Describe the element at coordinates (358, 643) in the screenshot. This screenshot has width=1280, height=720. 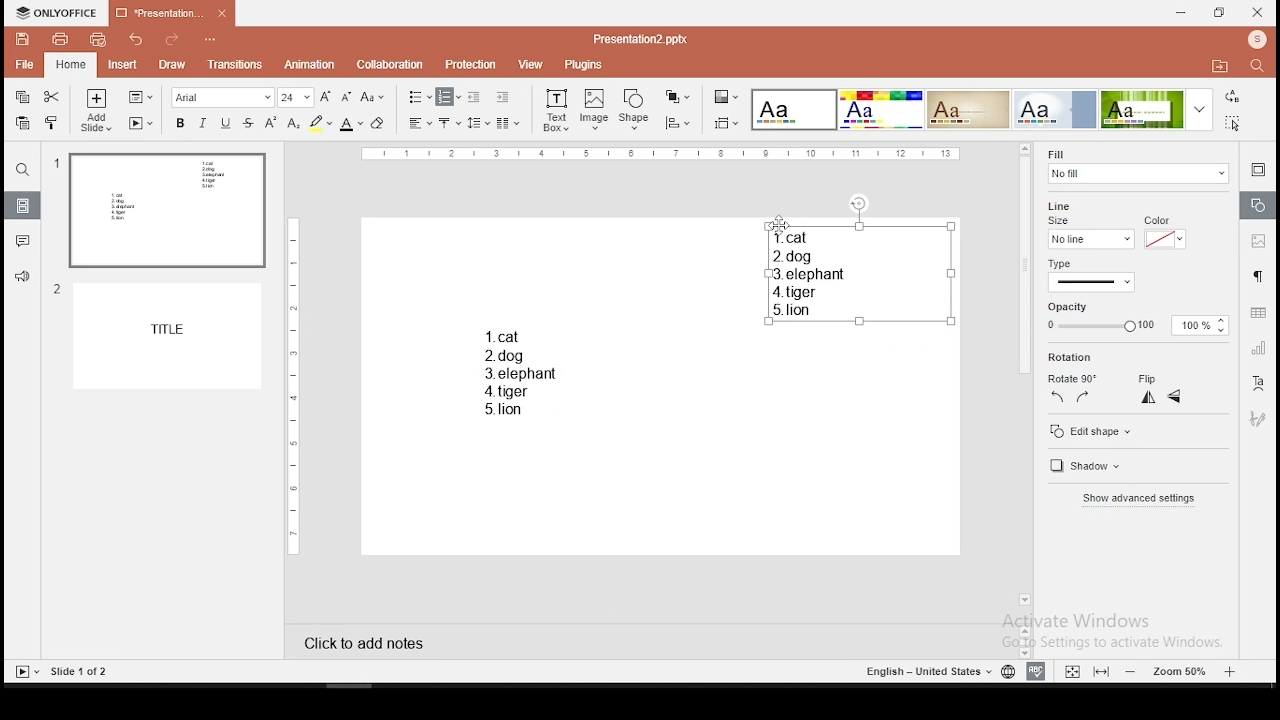
I see `click to add notes` at that location.